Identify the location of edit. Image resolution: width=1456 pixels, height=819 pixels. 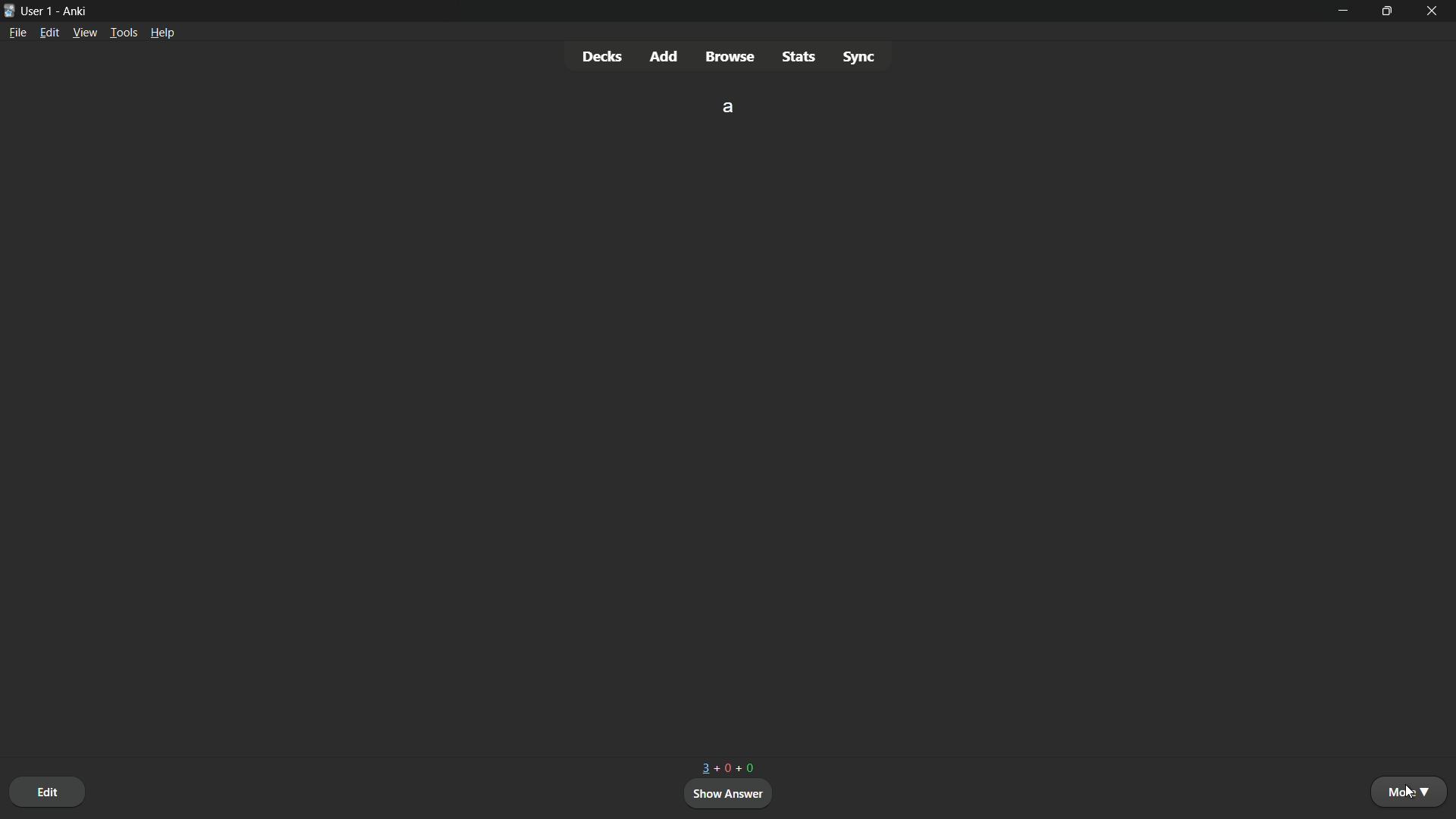
(47, 791).